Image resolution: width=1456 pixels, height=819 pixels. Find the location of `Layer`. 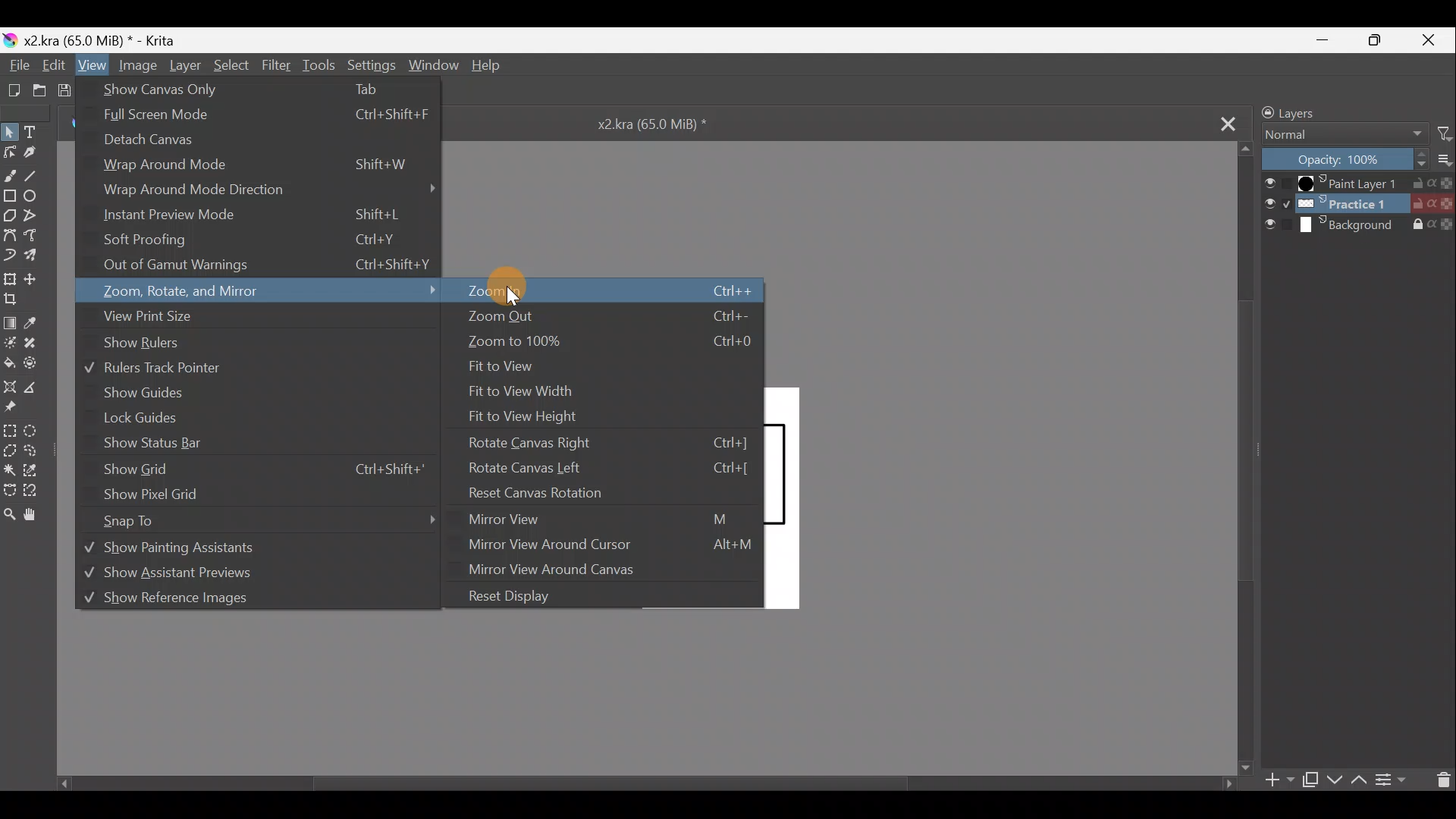

Layer is located at coordinates (186, 68).